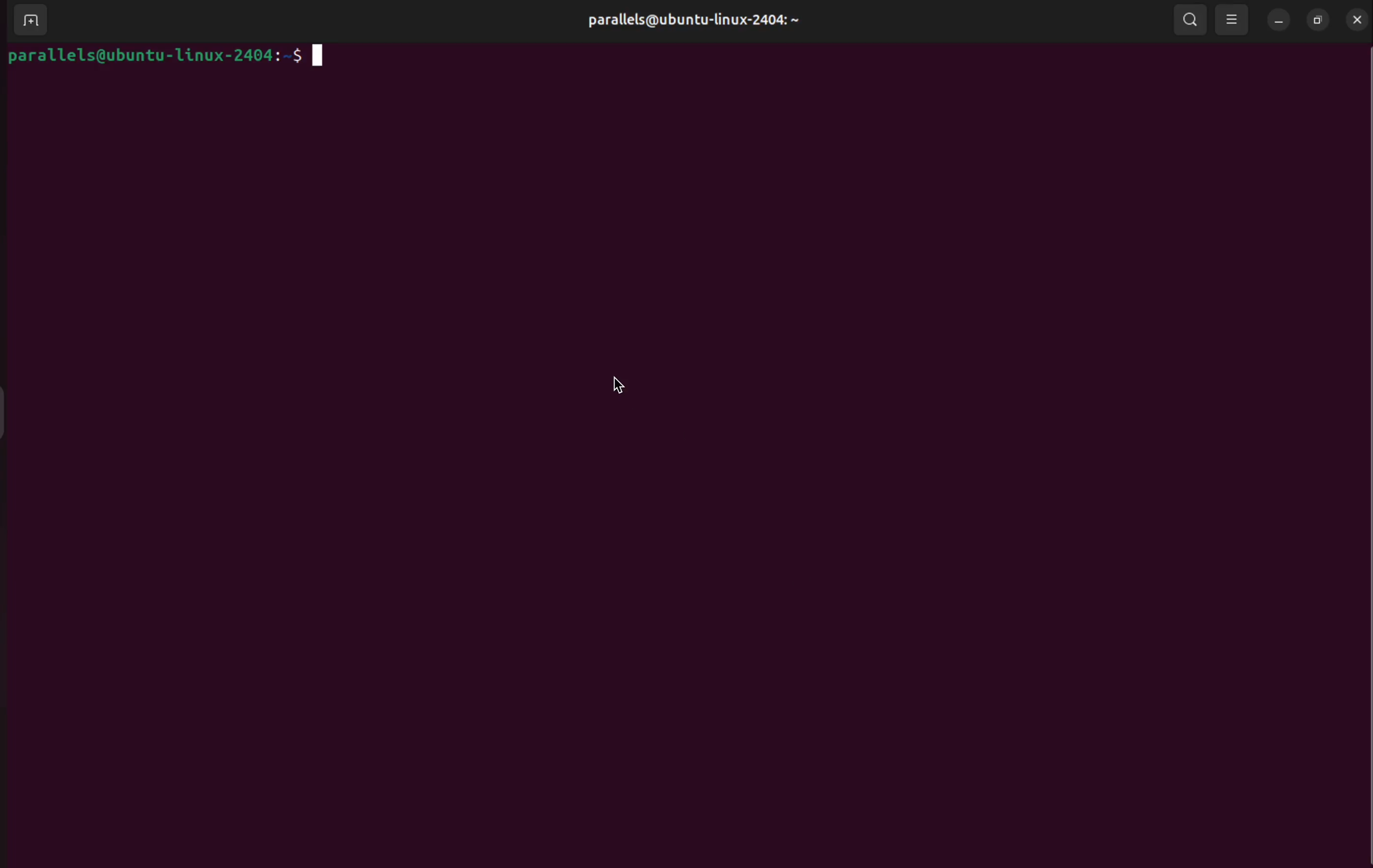 The width and height of the screenshot is (1373, 868). What do you see at coordinates (172, 56) in the screenshot?
I see `parallels@ubuntu-linux-2404:-$` at bounding box center [172, 56].